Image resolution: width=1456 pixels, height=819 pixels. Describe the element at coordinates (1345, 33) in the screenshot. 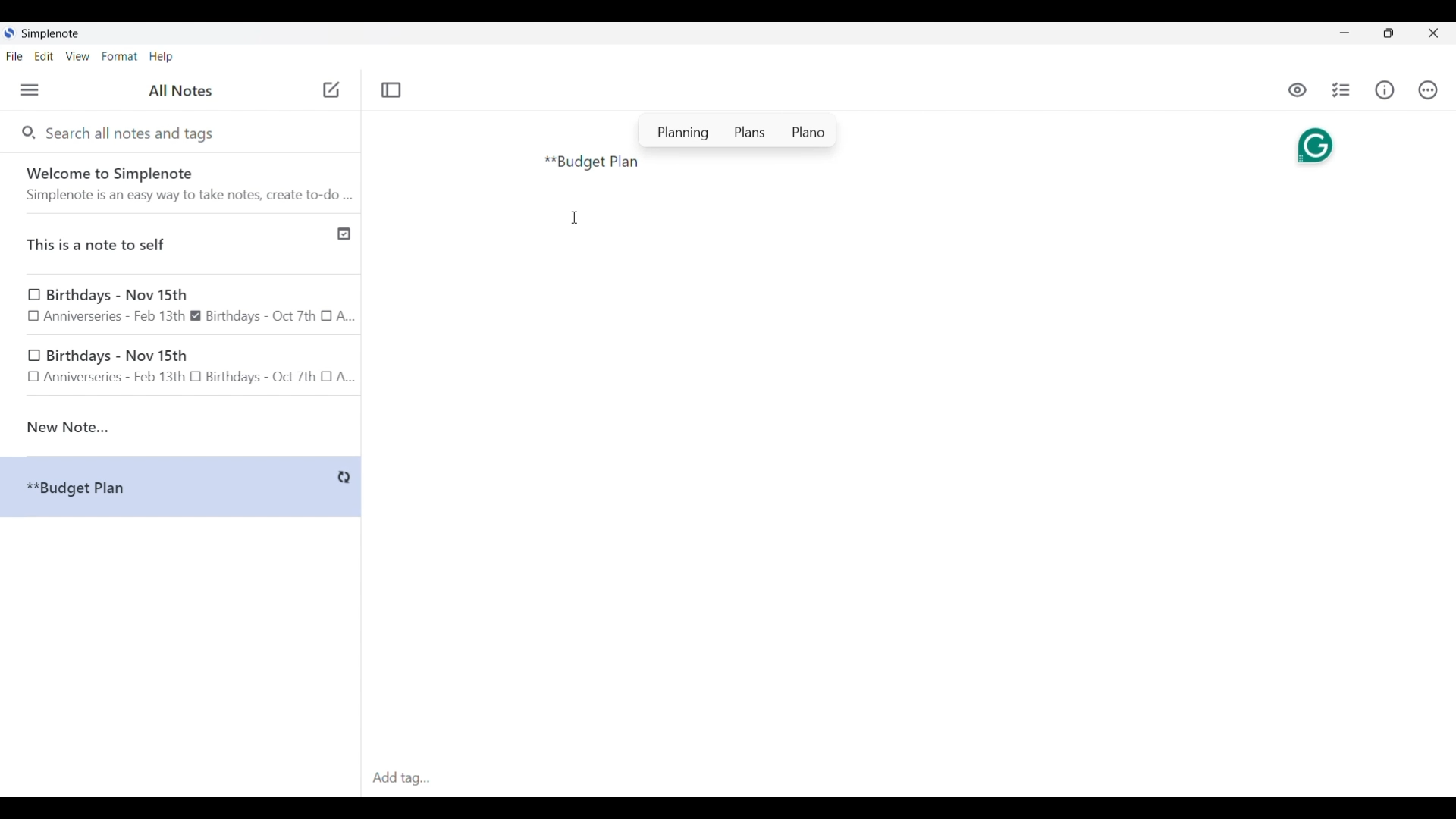

I see `Minimize` at that location.